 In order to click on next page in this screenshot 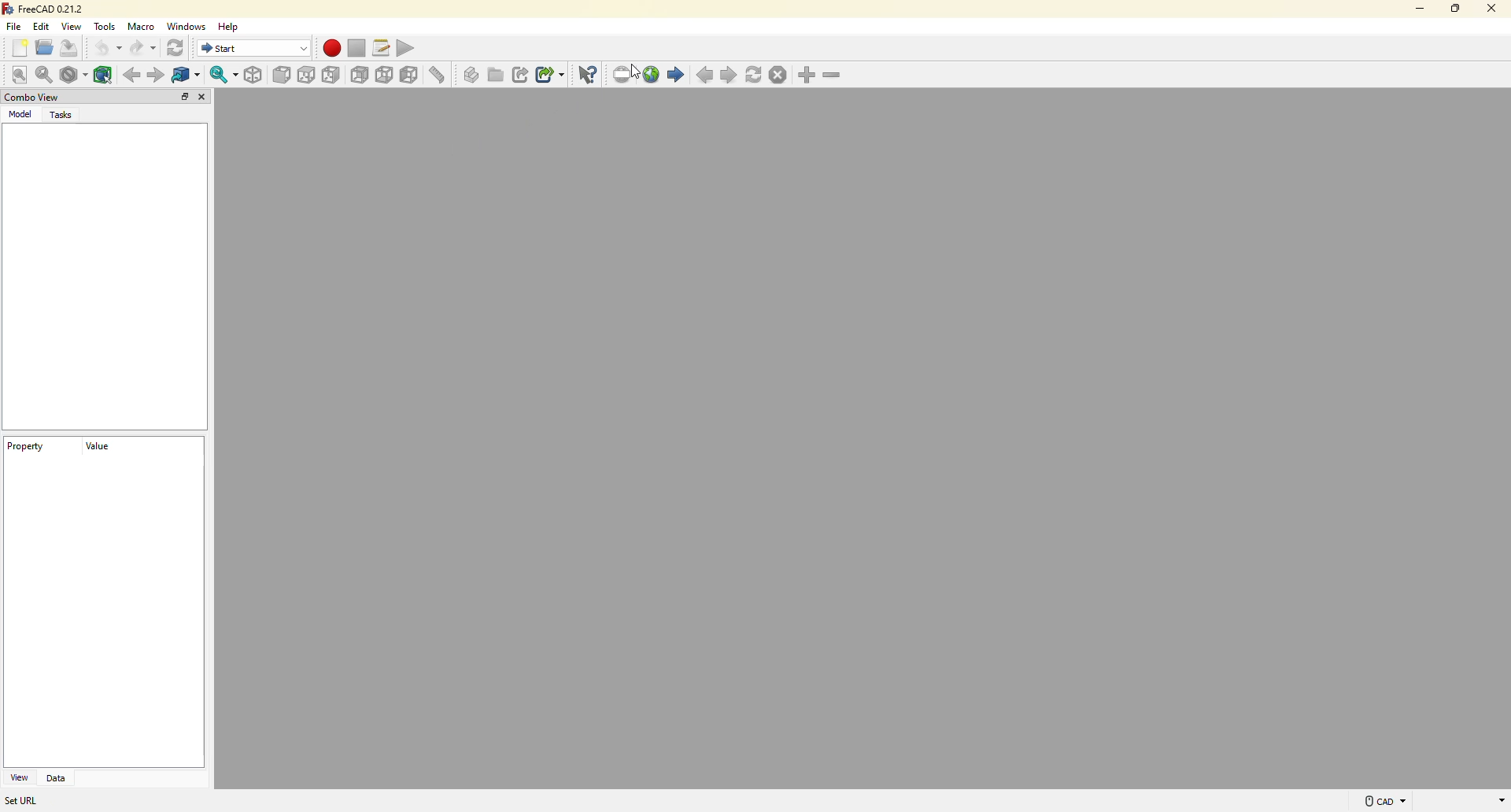, I will do `click(730, 76)`.